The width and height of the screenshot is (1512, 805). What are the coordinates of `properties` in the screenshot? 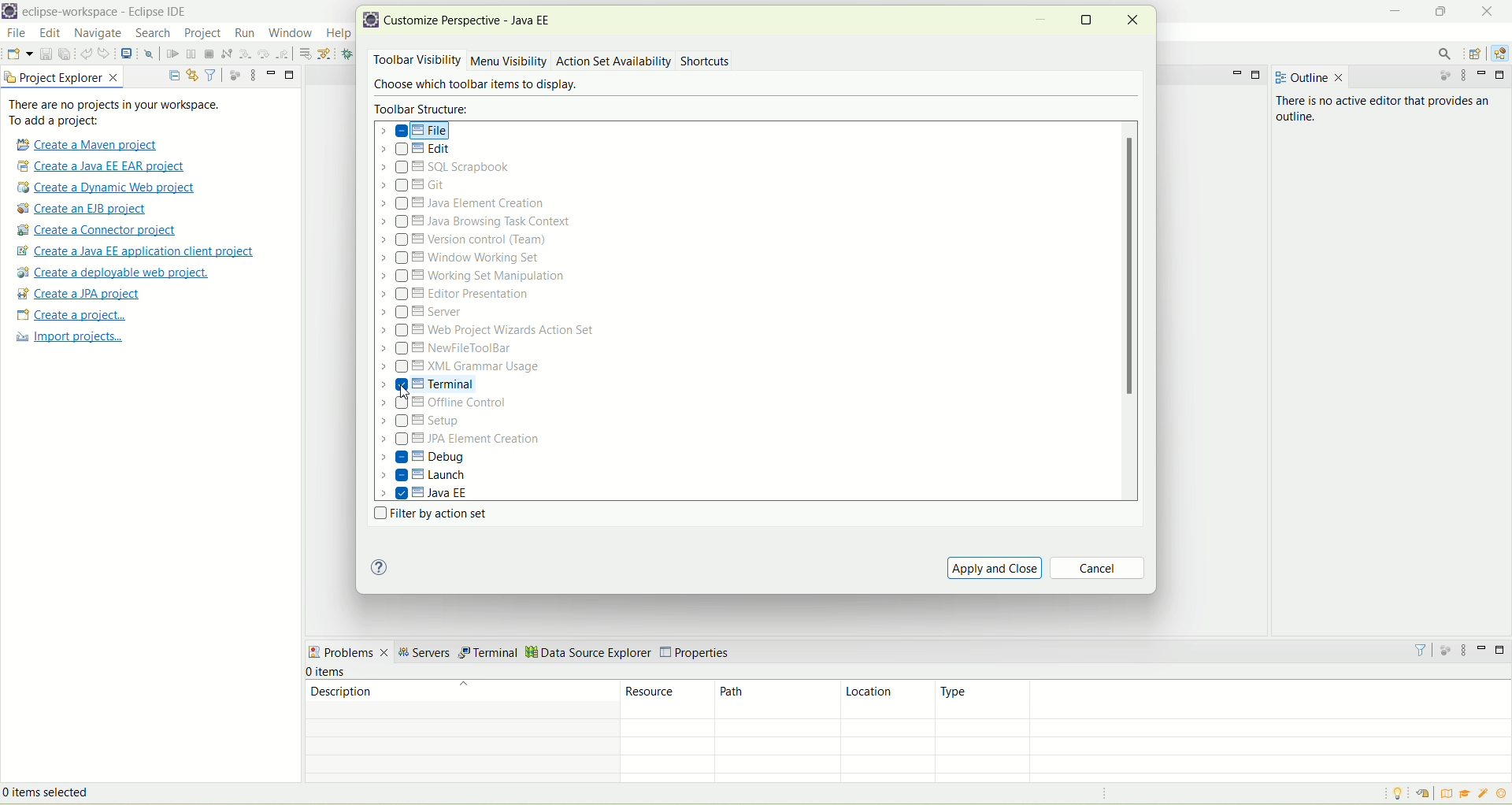 It's located at (699, 649).